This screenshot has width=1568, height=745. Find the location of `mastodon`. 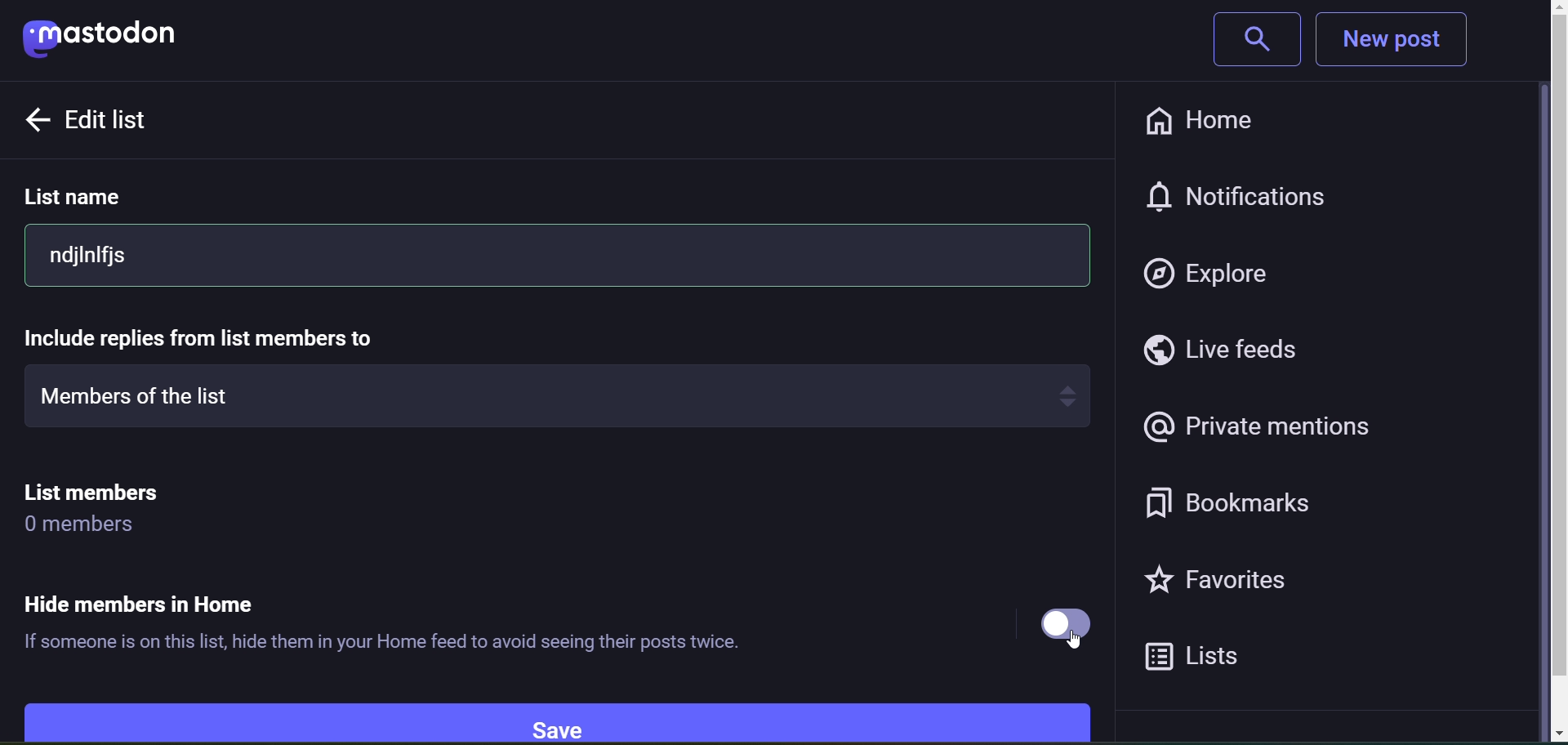

mastodon is located at coordinates (116, 41).